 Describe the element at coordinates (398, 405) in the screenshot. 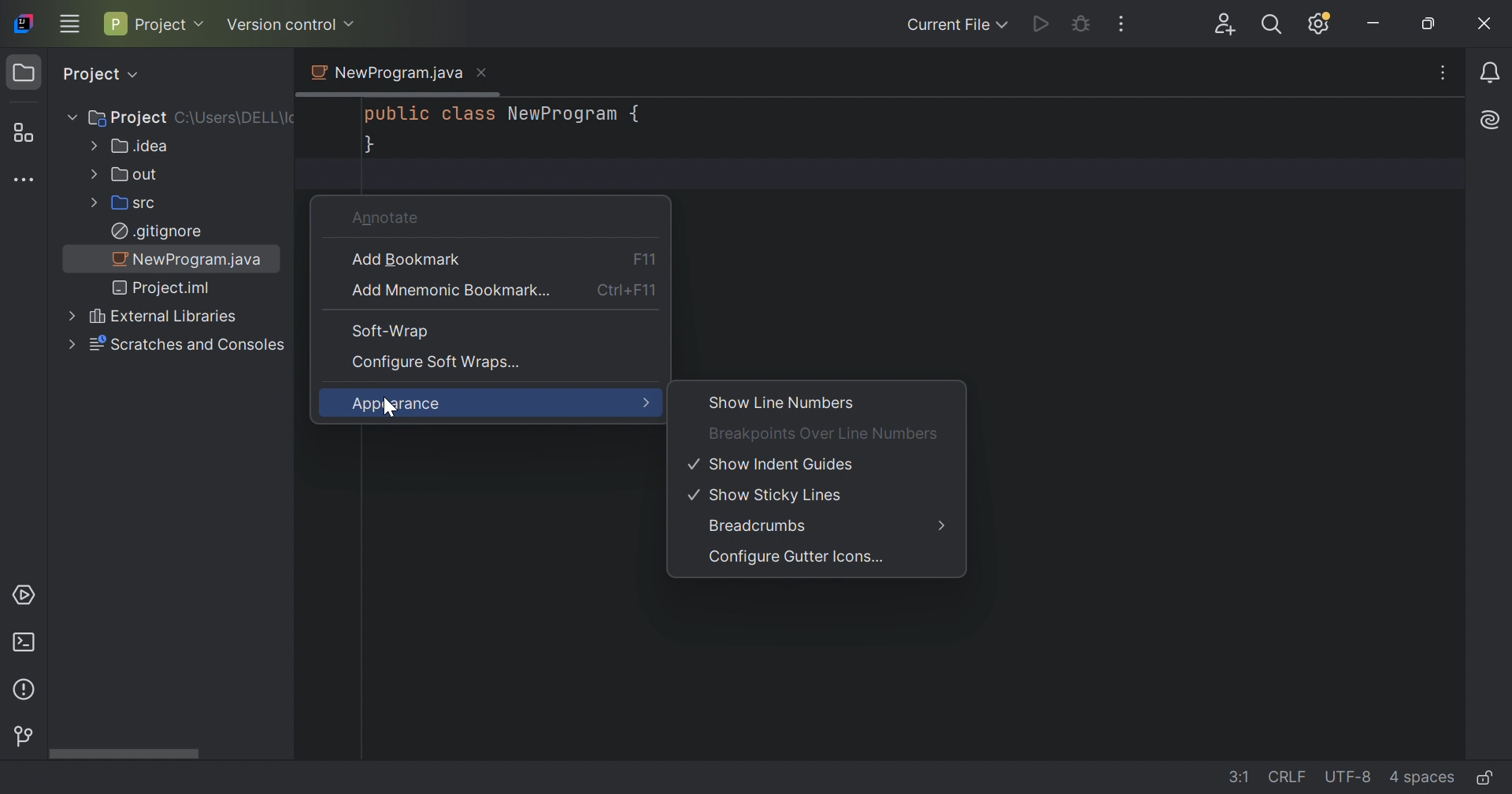

I see `Appearance` at that location.